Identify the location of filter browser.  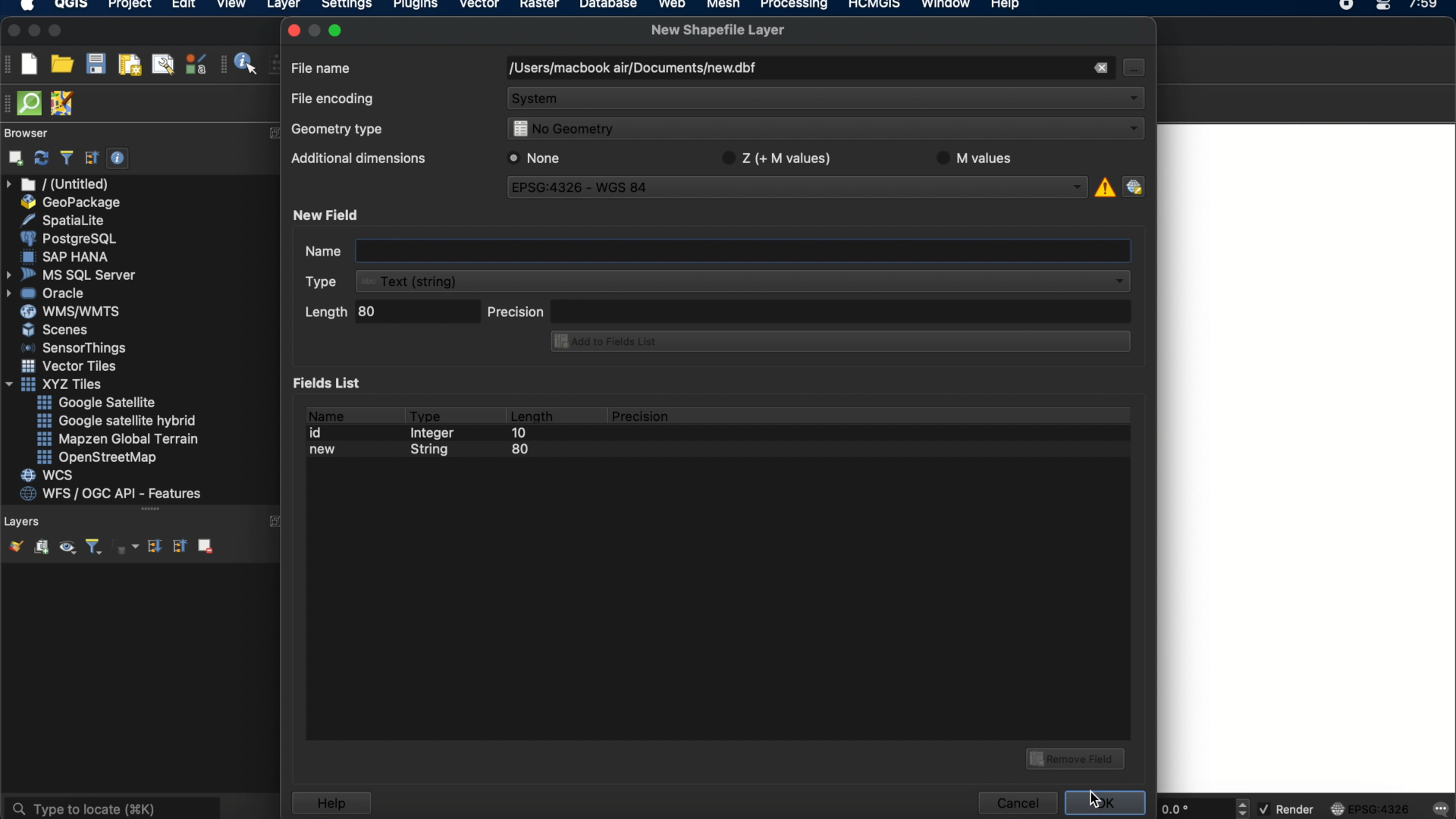
(66, 158).